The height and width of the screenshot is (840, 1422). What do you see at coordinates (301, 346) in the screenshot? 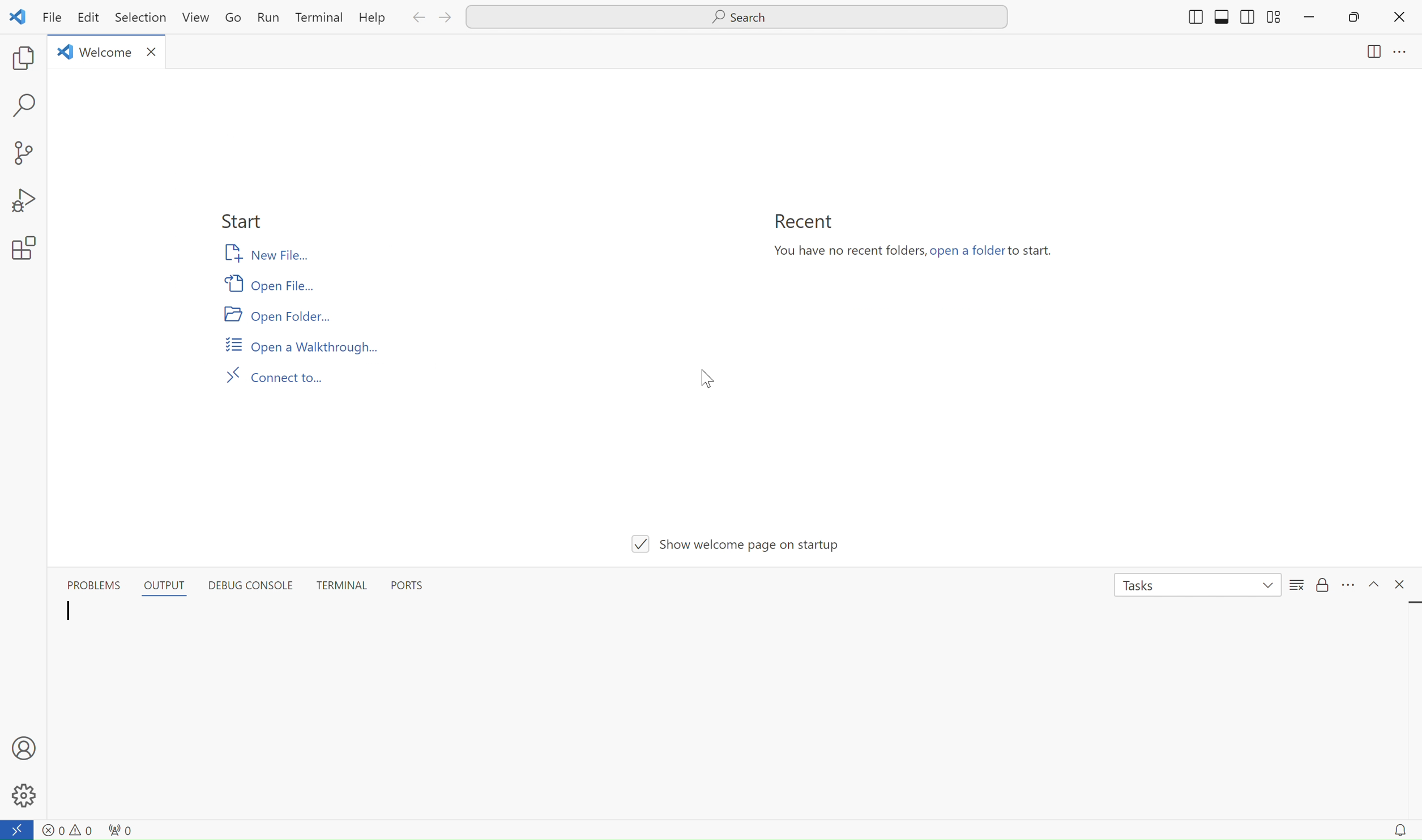
I see `Open a Walkthrough` at bounding box center [301, 346].